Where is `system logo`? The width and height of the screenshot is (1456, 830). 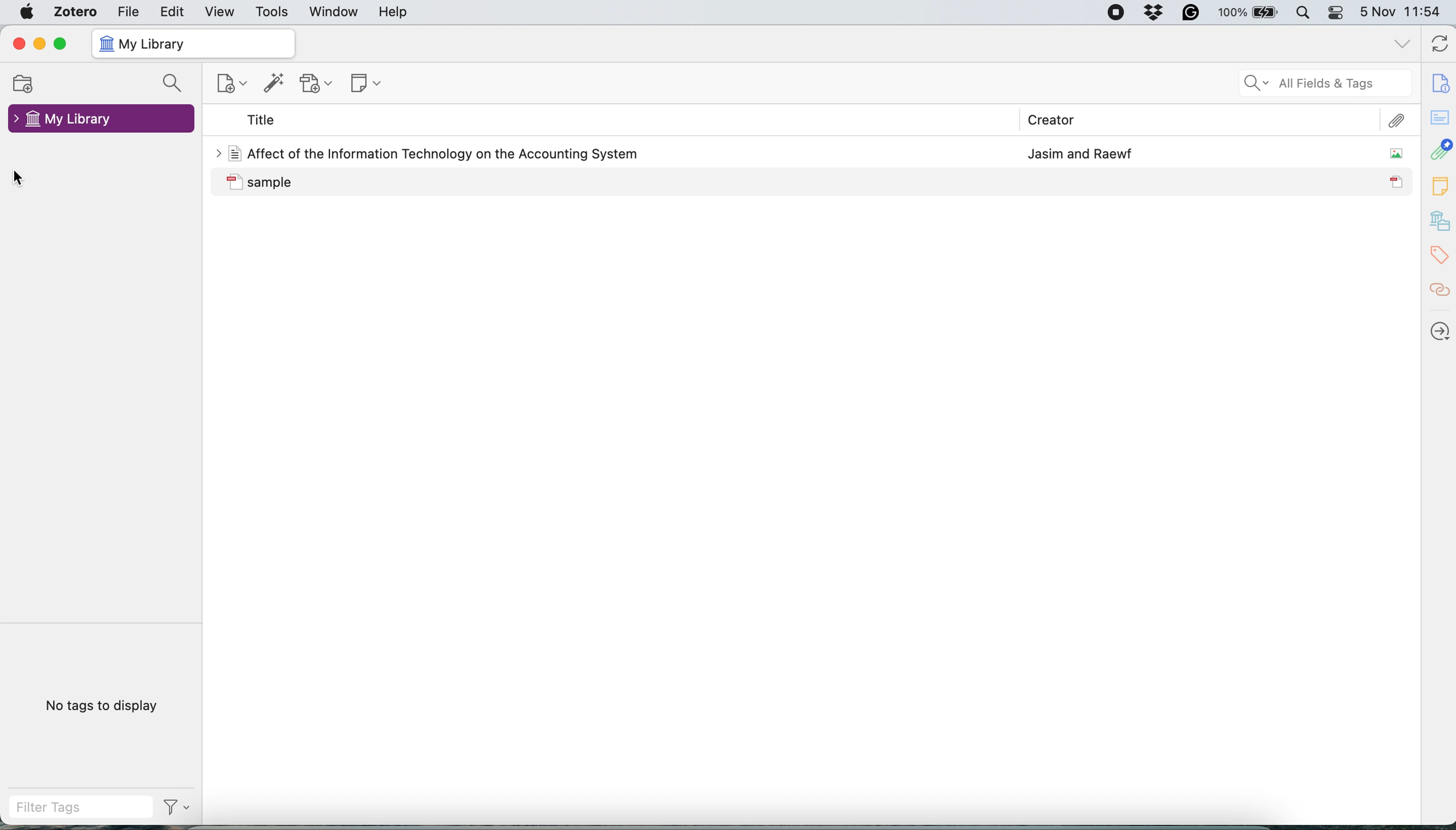 system logo is located at coordinates (29, 13).